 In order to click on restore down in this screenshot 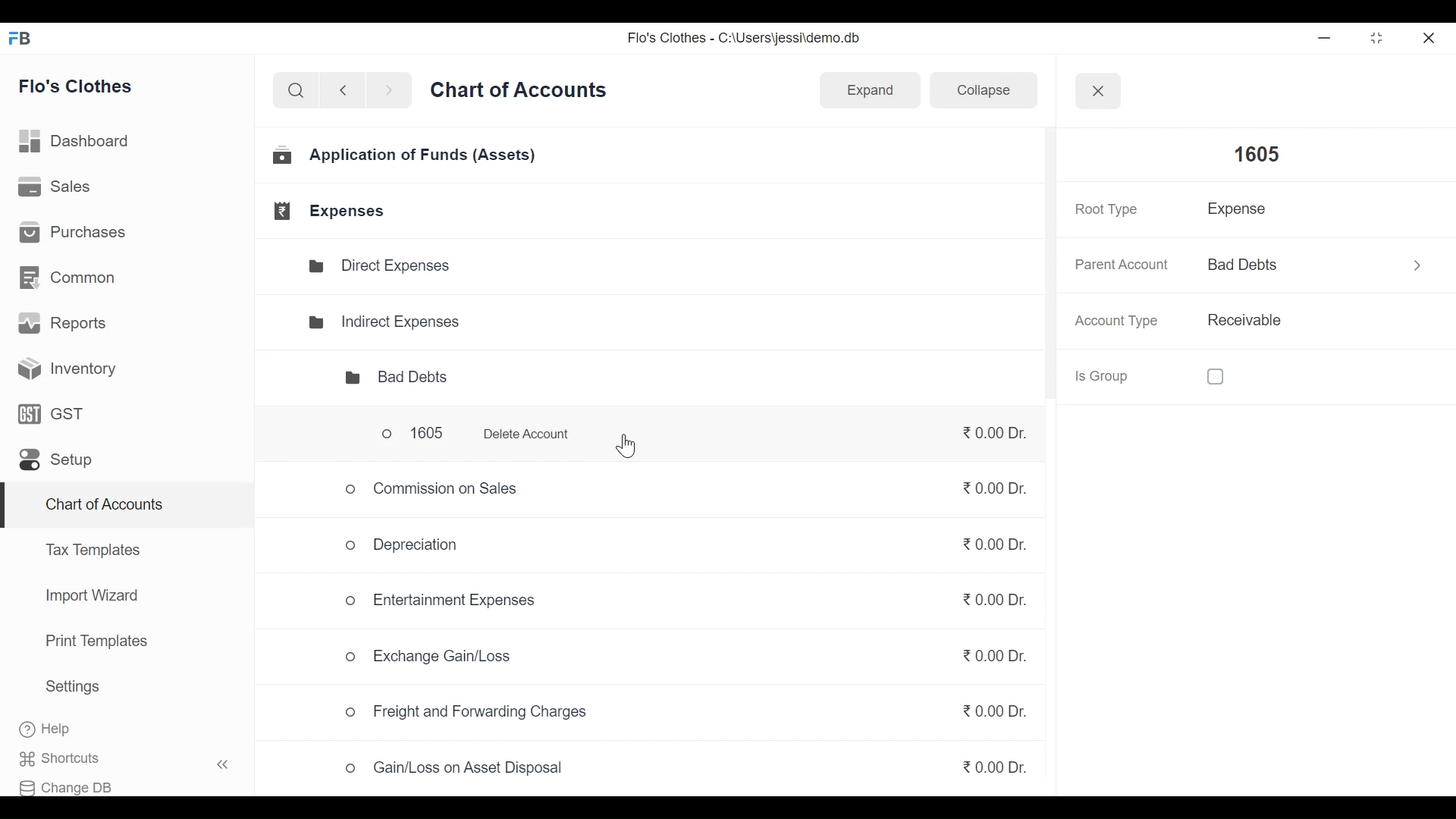, I will do `click(1375, 39)`.